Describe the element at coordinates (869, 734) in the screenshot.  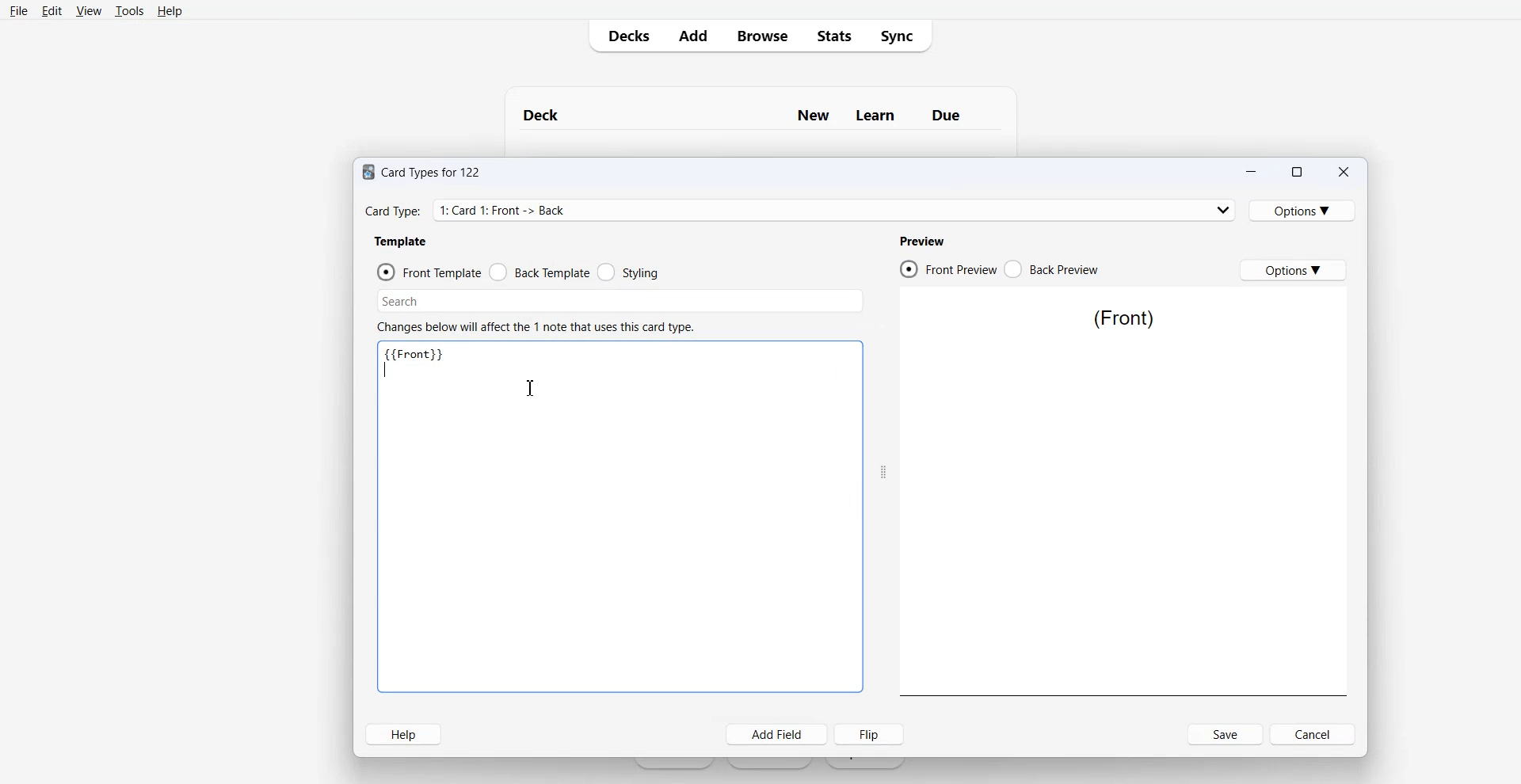
I see `Flip` at that location.